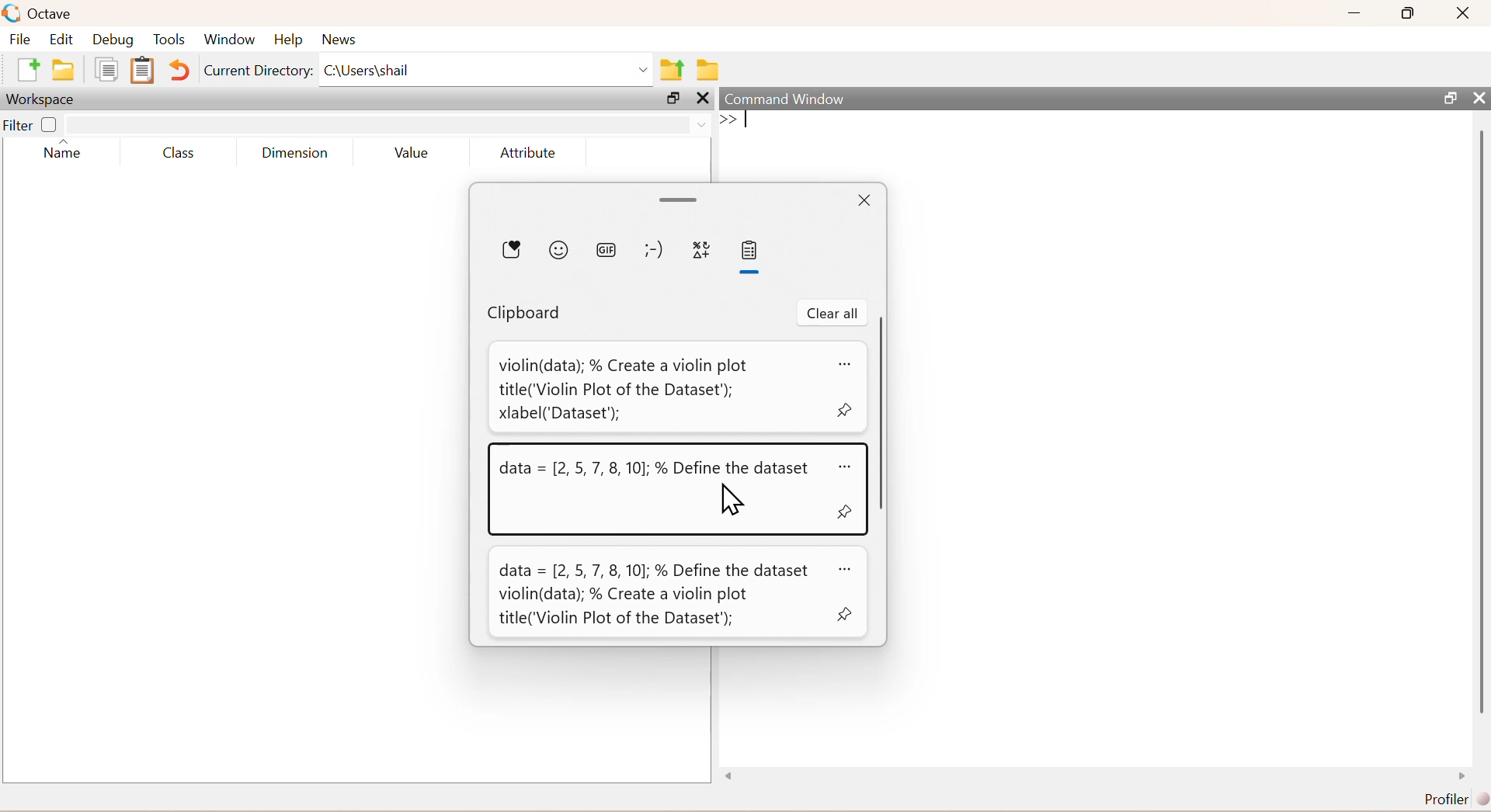 Image resolution: width=1491 pixels, height=812 pixels. What do you see at coordinates (525, 314) in the screenshot?
I see `Clipboard` at bounding box center [525, 314].